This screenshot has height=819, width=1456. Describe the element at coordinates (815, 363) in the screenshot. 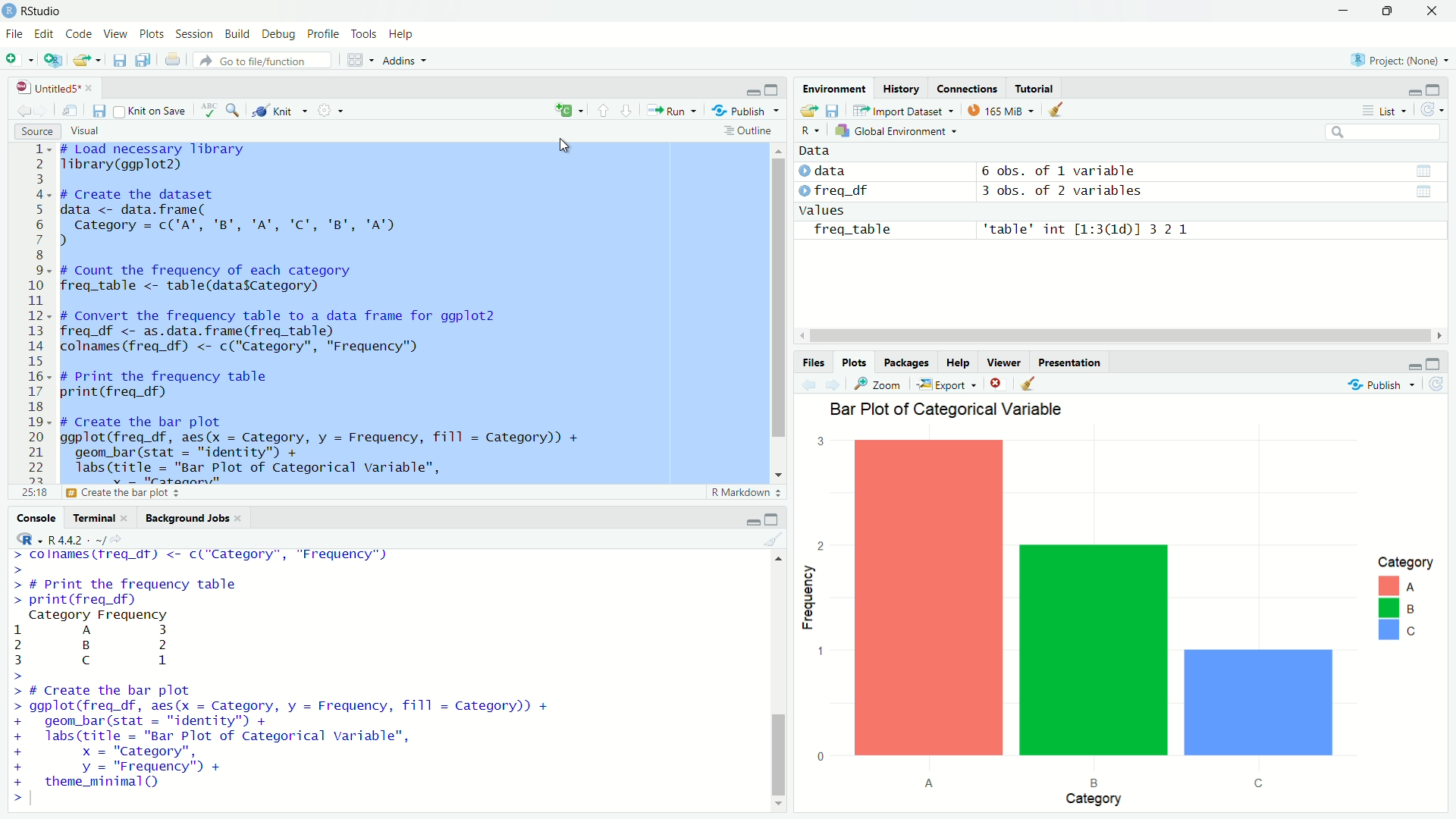

I see `files` at that location.